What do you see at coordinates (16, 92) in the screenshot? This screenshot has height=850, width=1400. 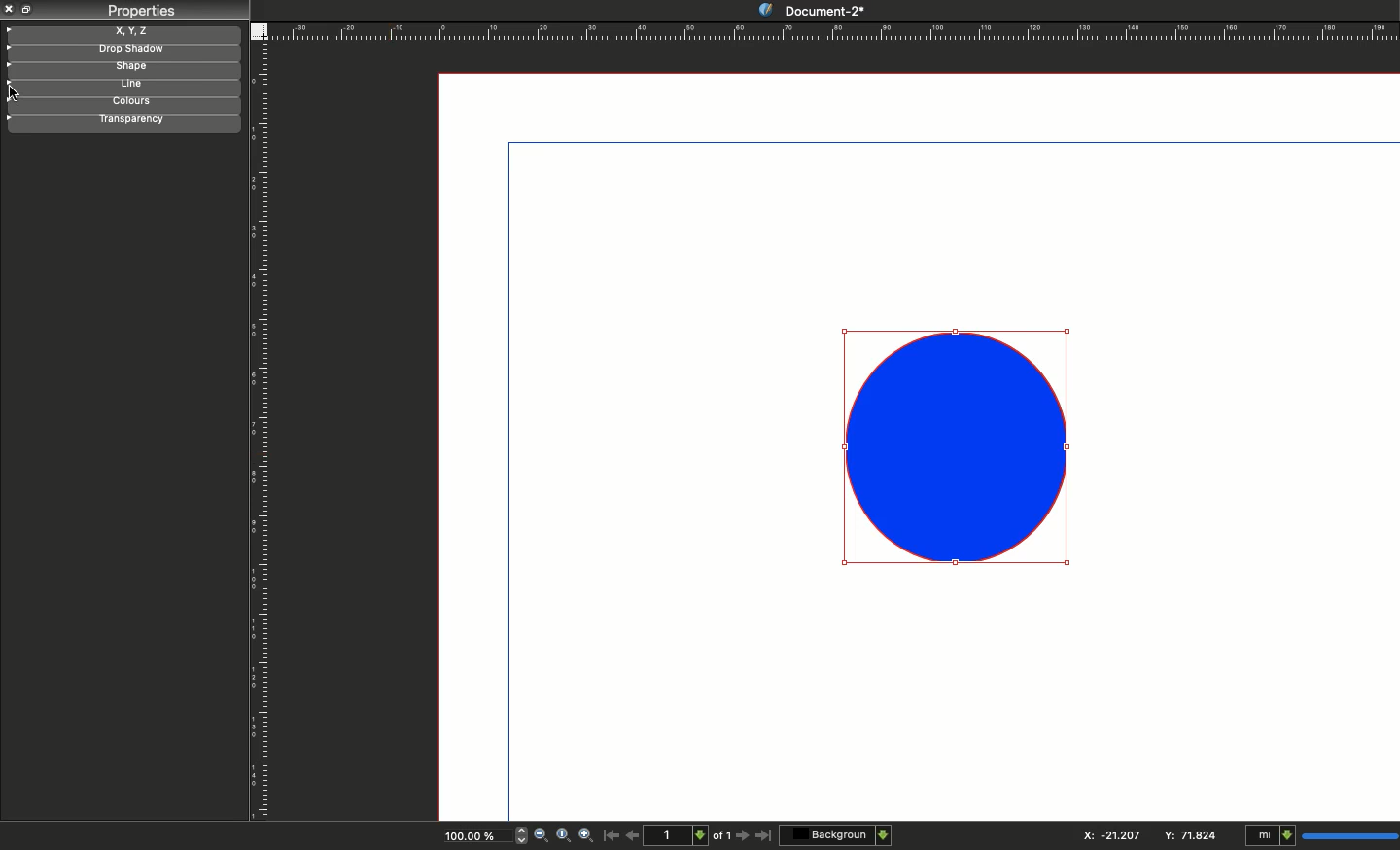 I see `cursor` at bounding box center [16, 92].